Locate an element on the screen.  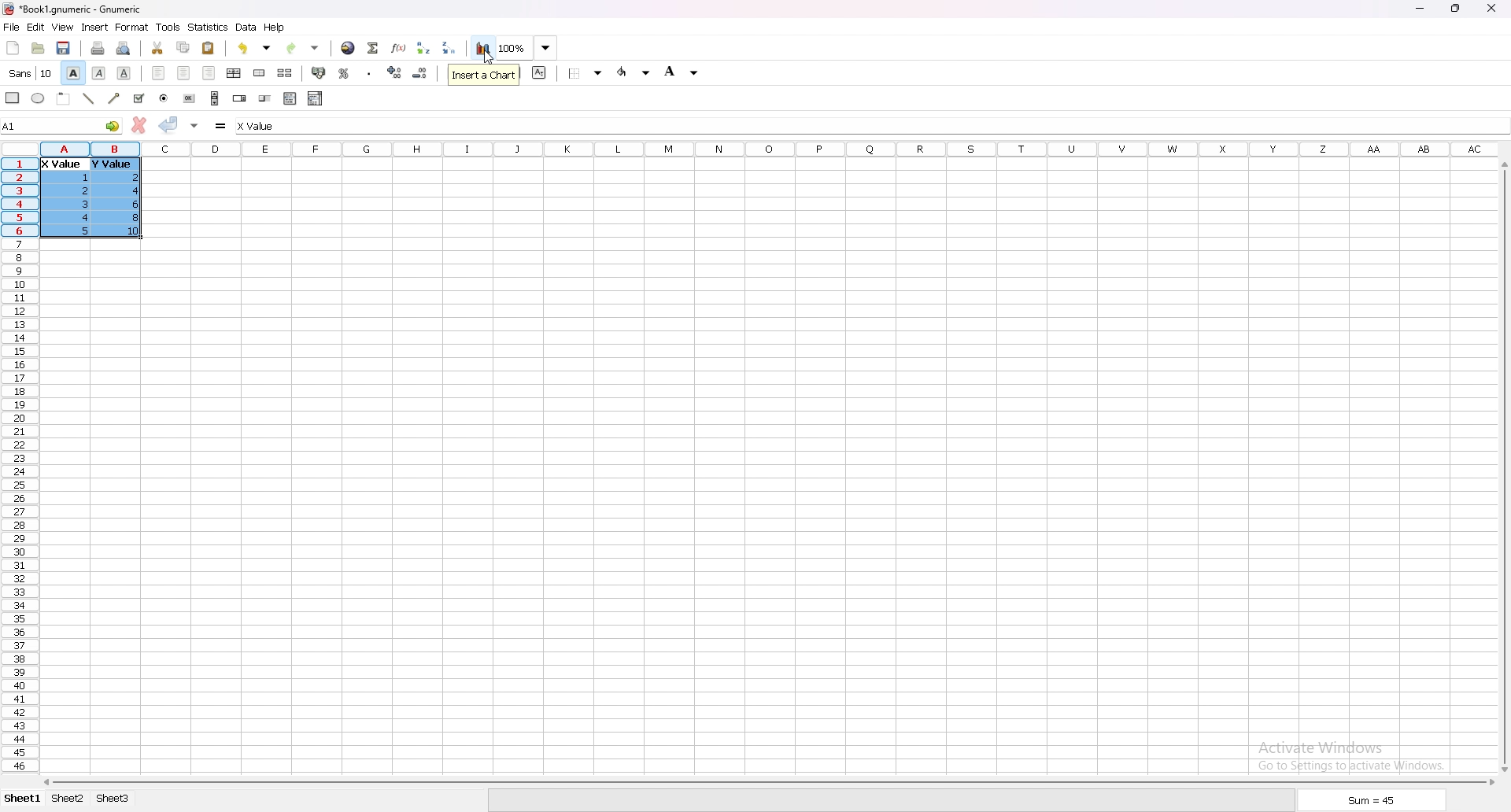
spin button is located at coordinates (240, 98).